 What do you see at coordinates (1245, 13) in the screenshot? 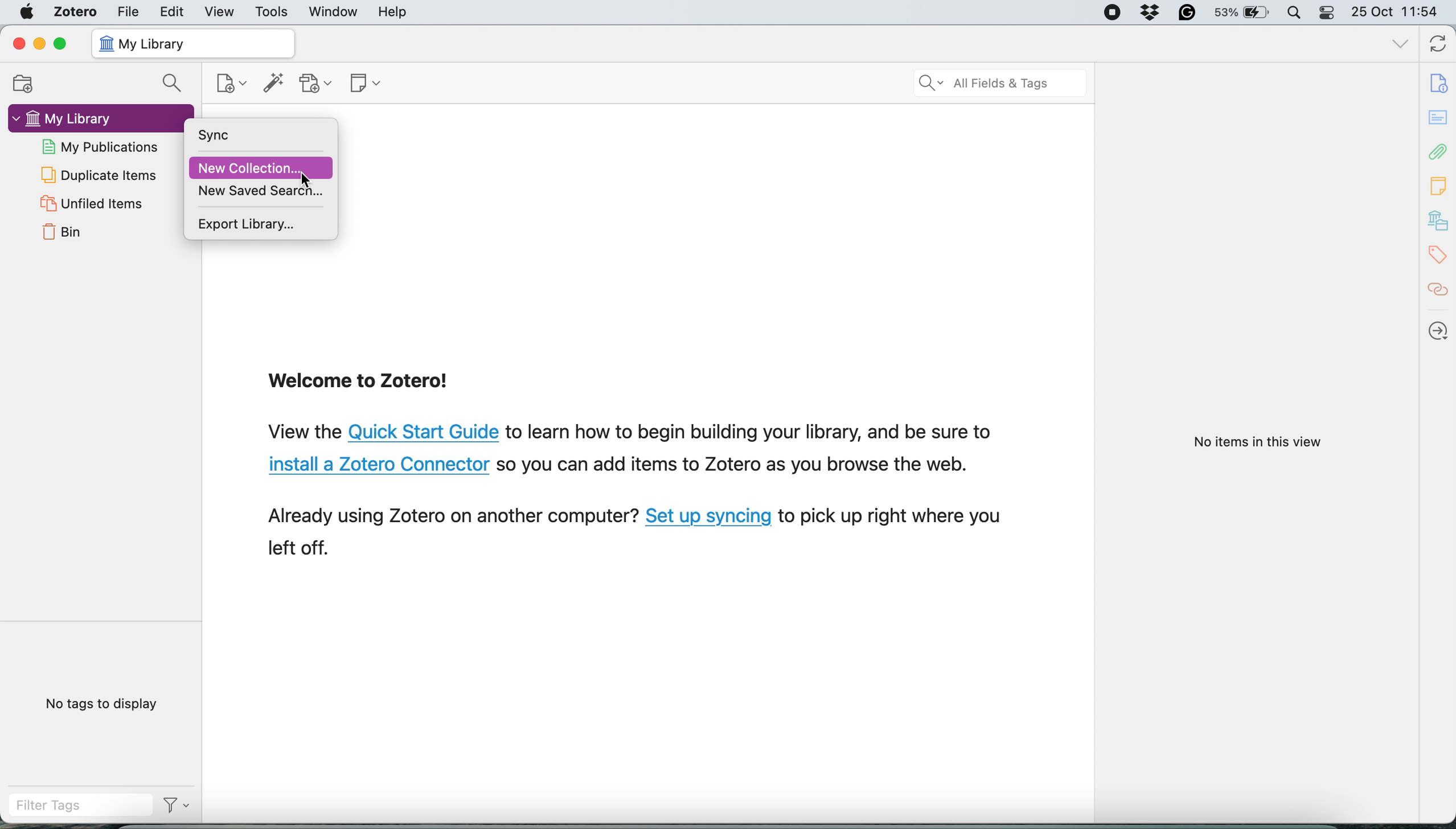
I see `53% battery` at bounding box center [1245, 13].